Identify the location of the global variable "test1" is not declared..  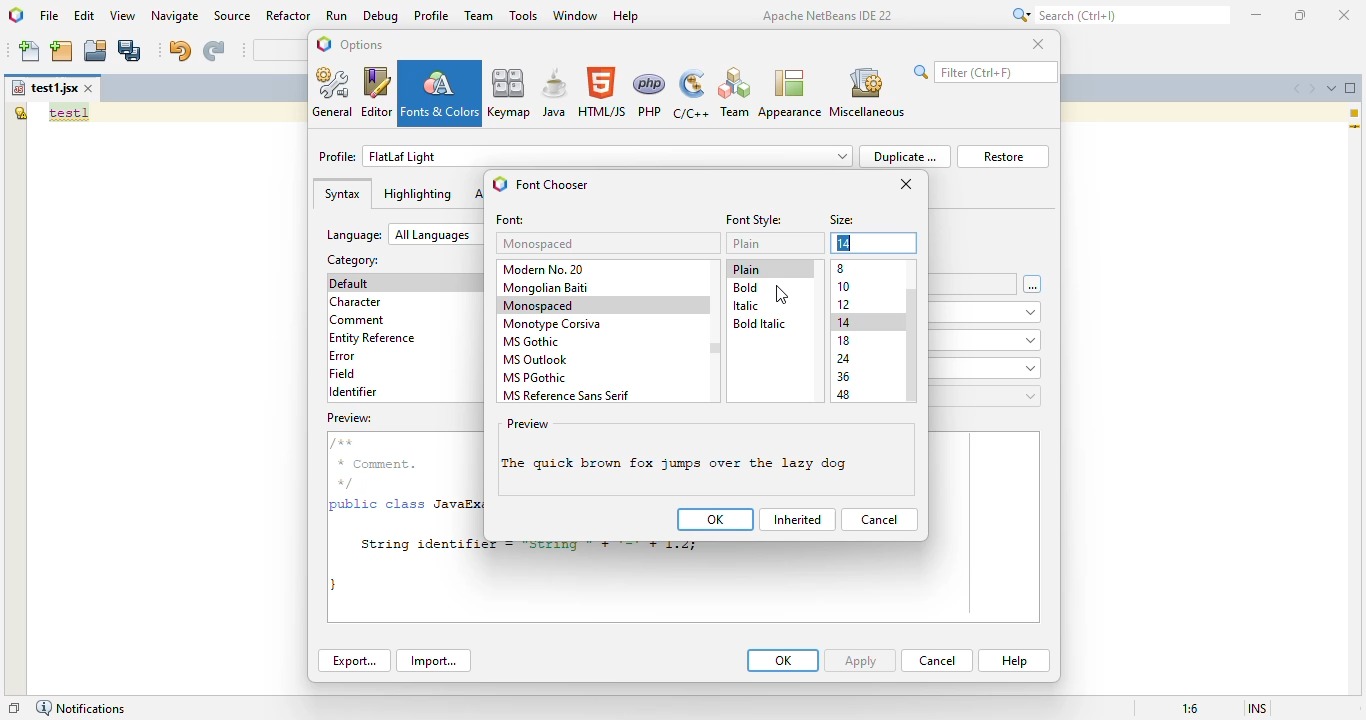
(20, 112).